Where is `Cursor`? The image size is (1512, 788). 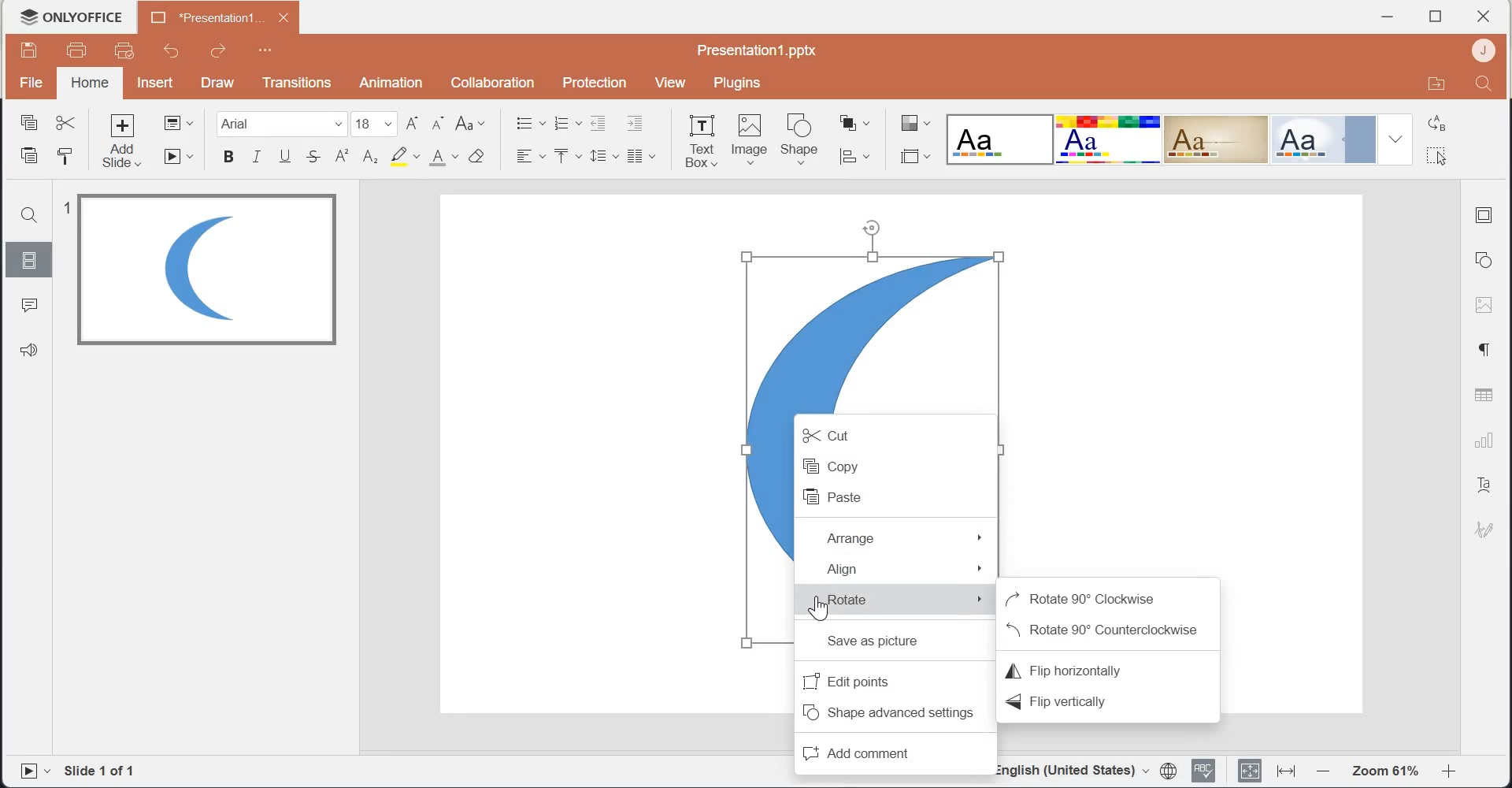 Cursor is located at coordinates (815, 608).